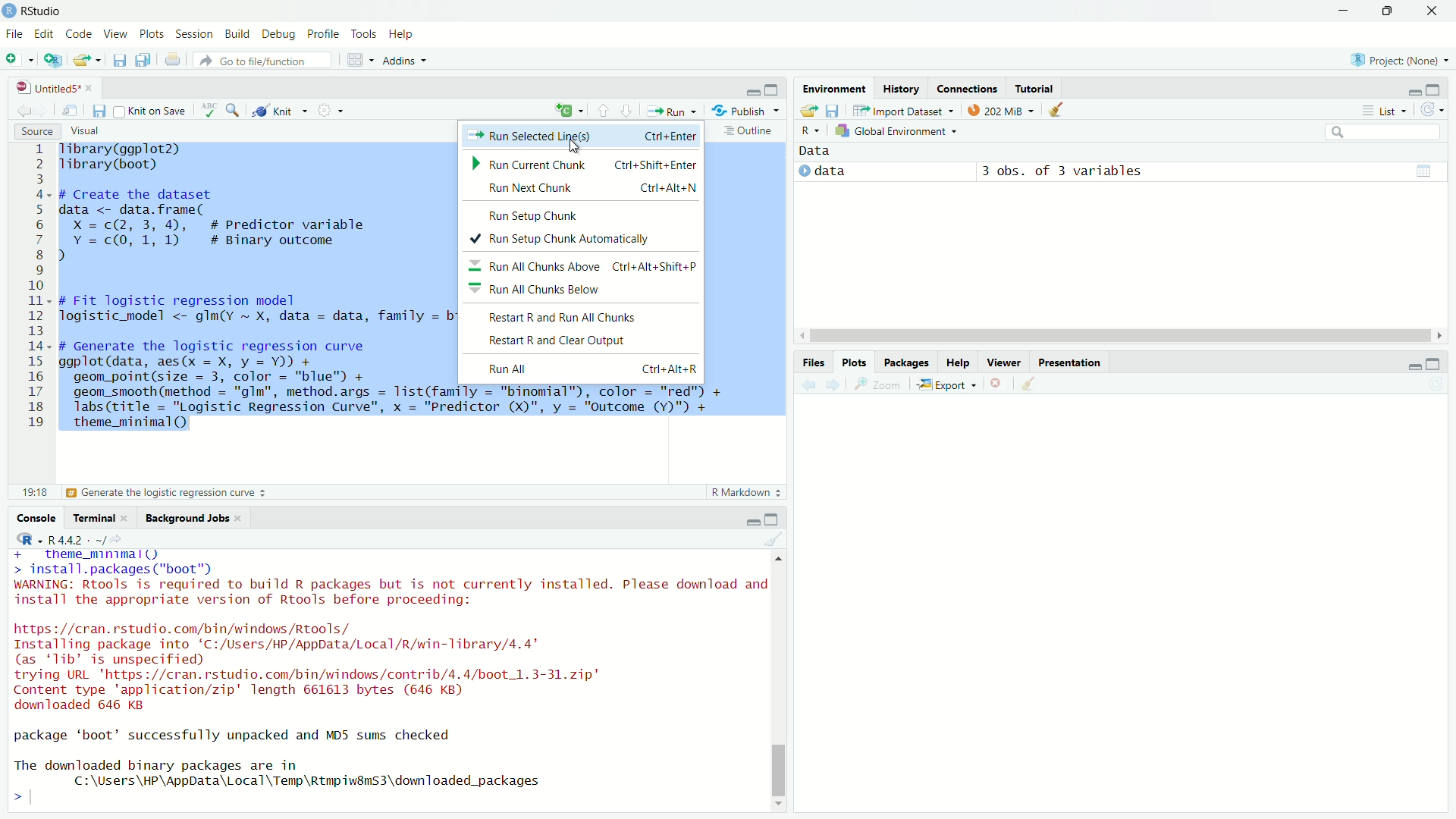 This screenshot has width=1456, height=819. I want to click on Restart R and Run All Chunks, so click(578, 315).